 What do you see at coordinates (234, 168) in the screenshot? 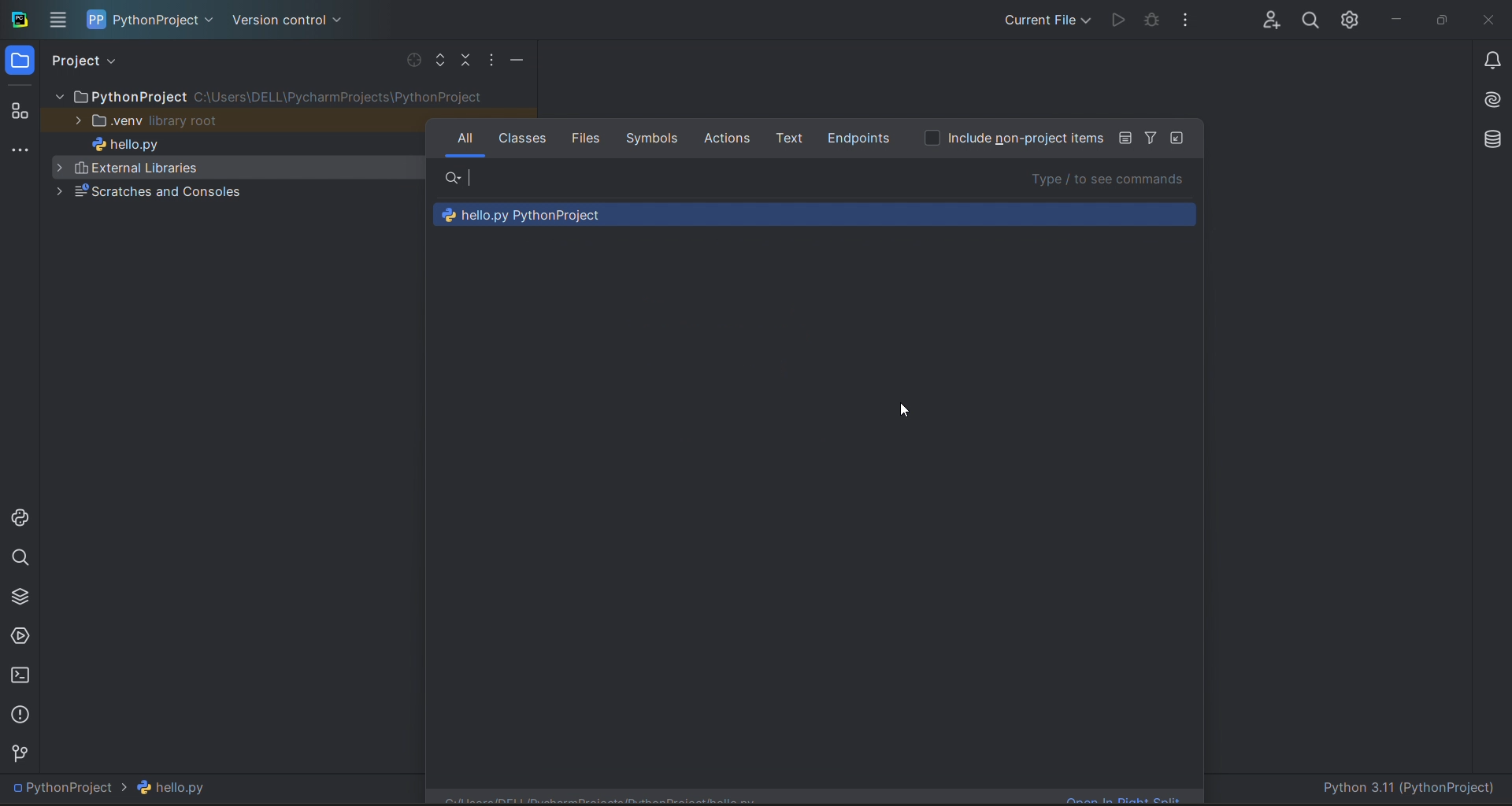
I see `External libraries` at bounding box center [234, 168].